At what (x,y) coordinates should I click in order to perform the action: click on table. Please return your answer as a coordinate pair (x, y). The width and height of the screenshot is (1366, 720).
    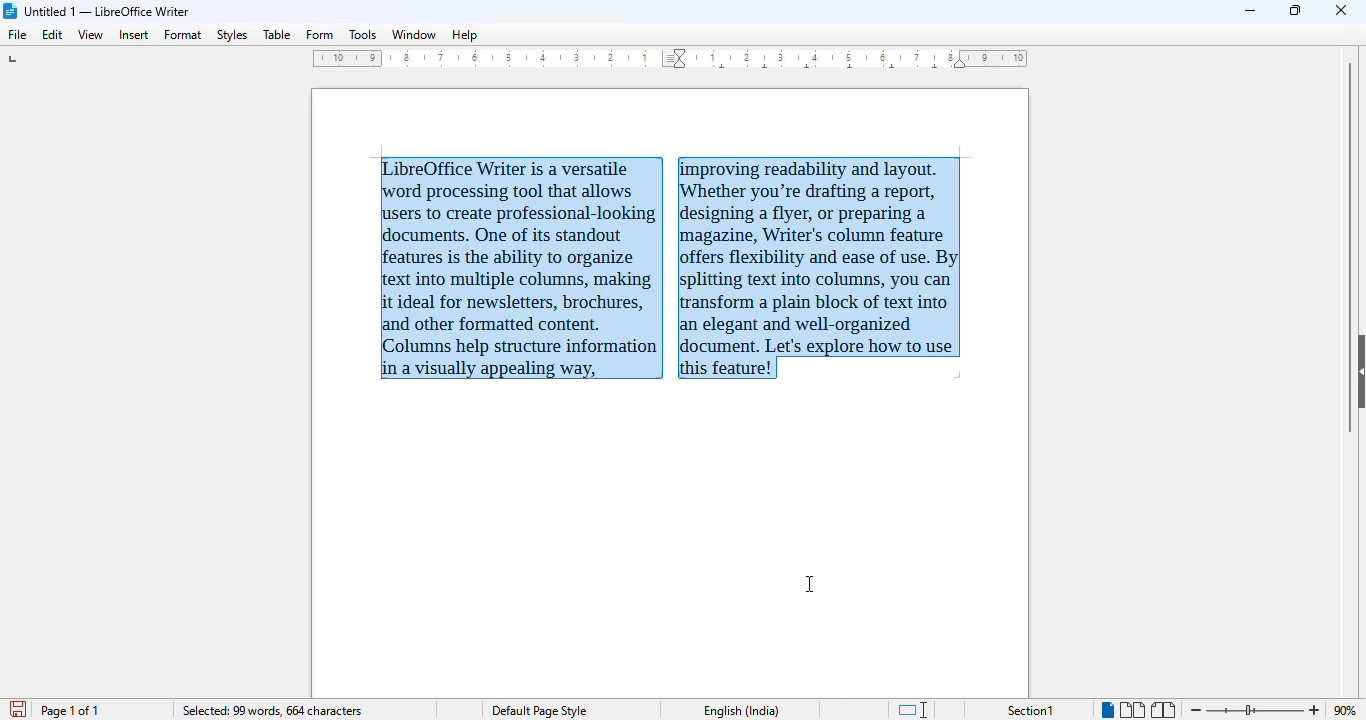
    Looking at the image, I should click on (277, 34).